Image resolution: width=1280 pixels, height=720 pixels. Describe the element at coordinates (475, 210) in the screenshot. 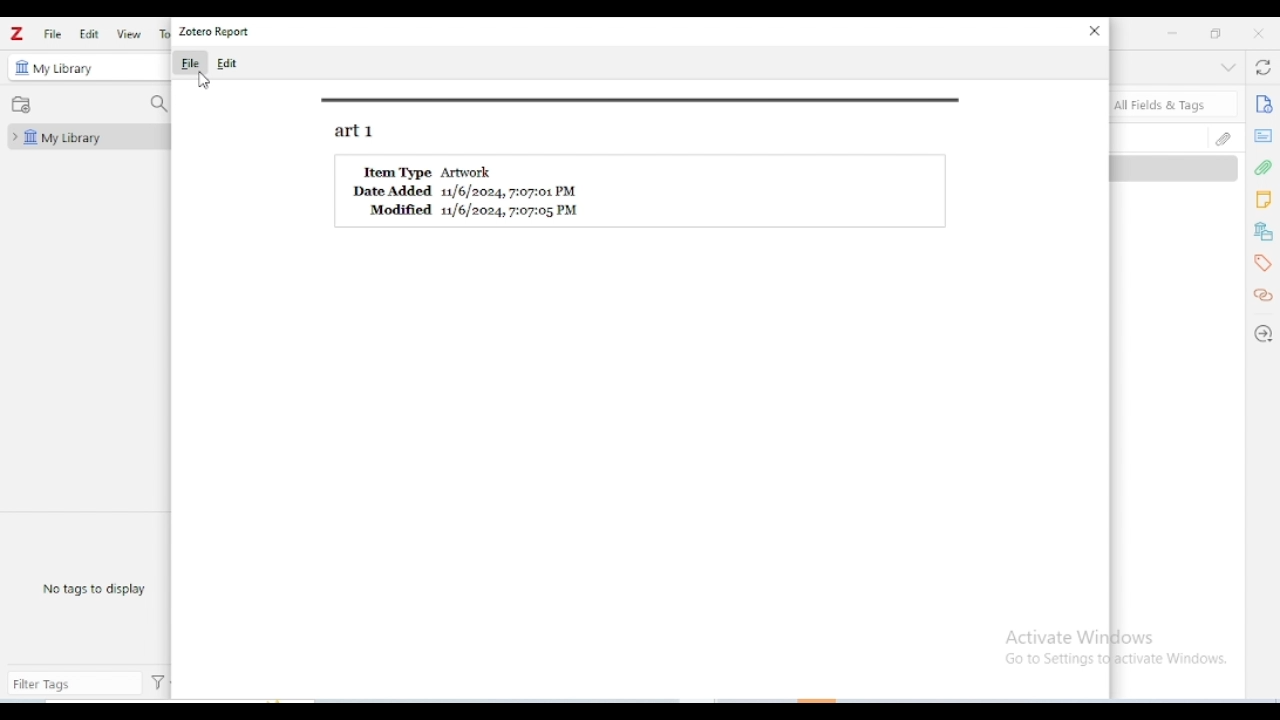

I see `Modified 11/6/2024, 7:07:05 PM` at that location.